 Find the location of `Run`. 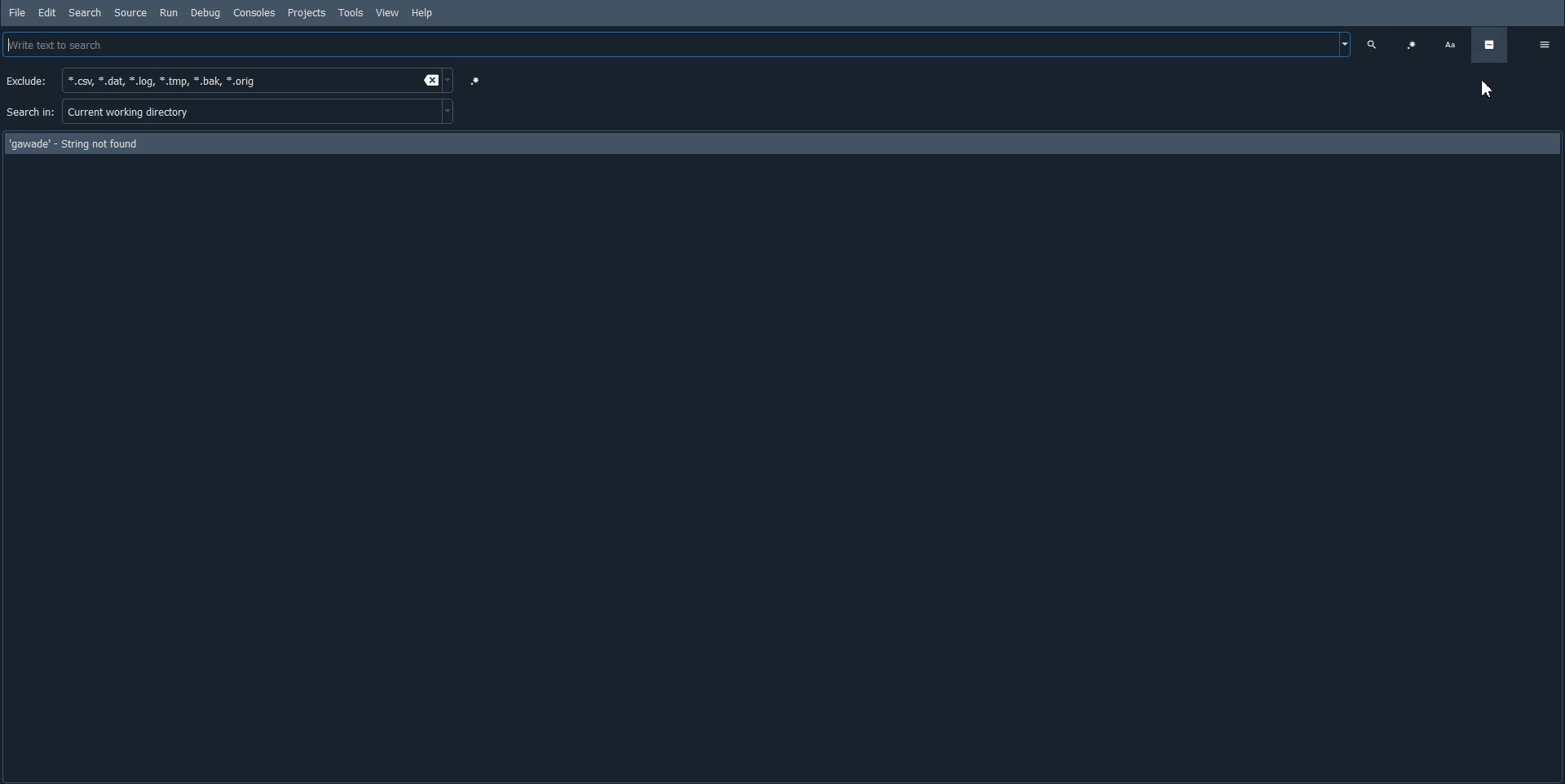

Run is located at coordinates (169, 12).